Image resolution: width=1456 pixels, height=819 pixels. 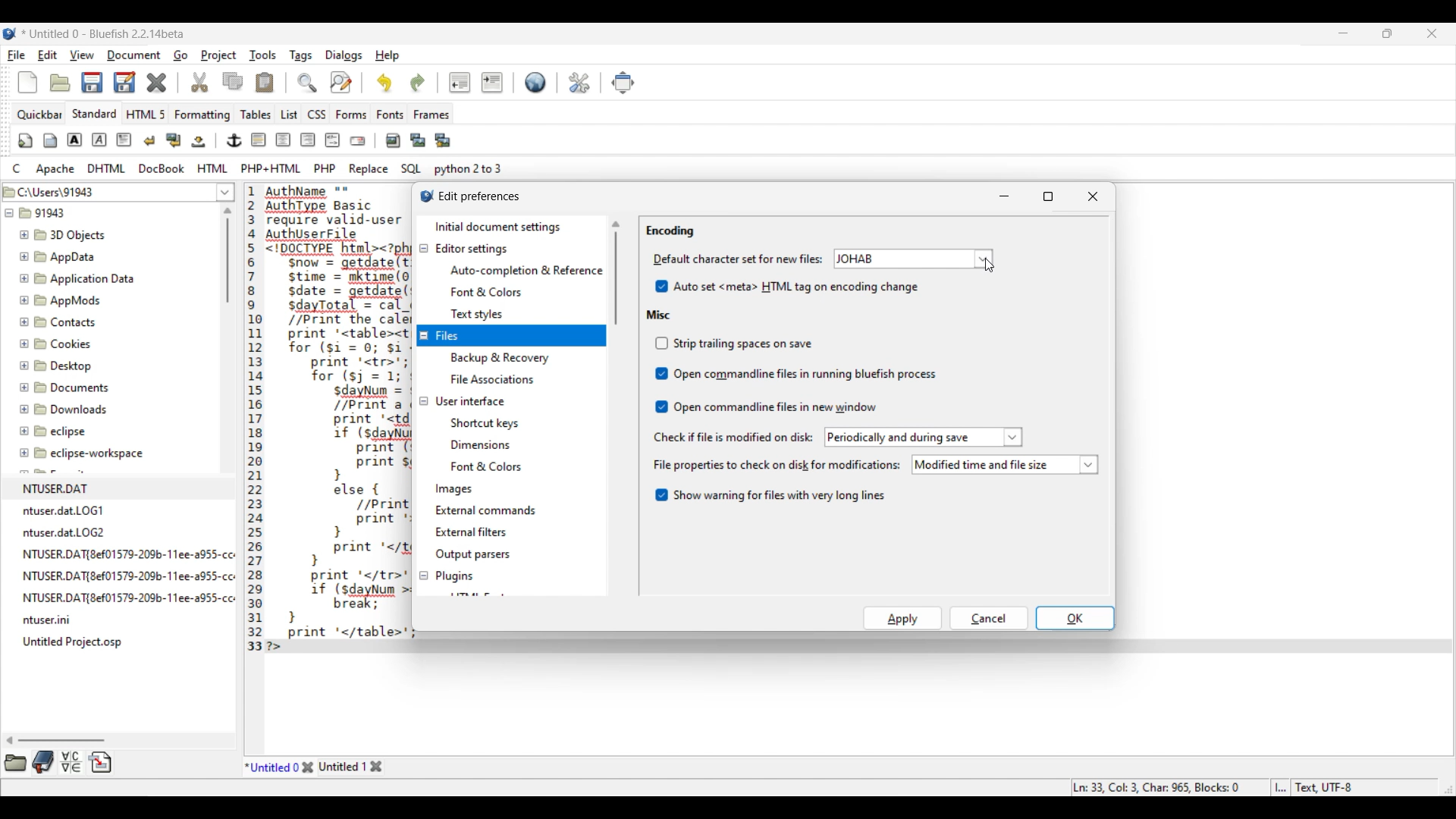 What do you see at coordinates (225, 192) in the screenshot?
I see `List of folder location` at bounding box center [225, 192].